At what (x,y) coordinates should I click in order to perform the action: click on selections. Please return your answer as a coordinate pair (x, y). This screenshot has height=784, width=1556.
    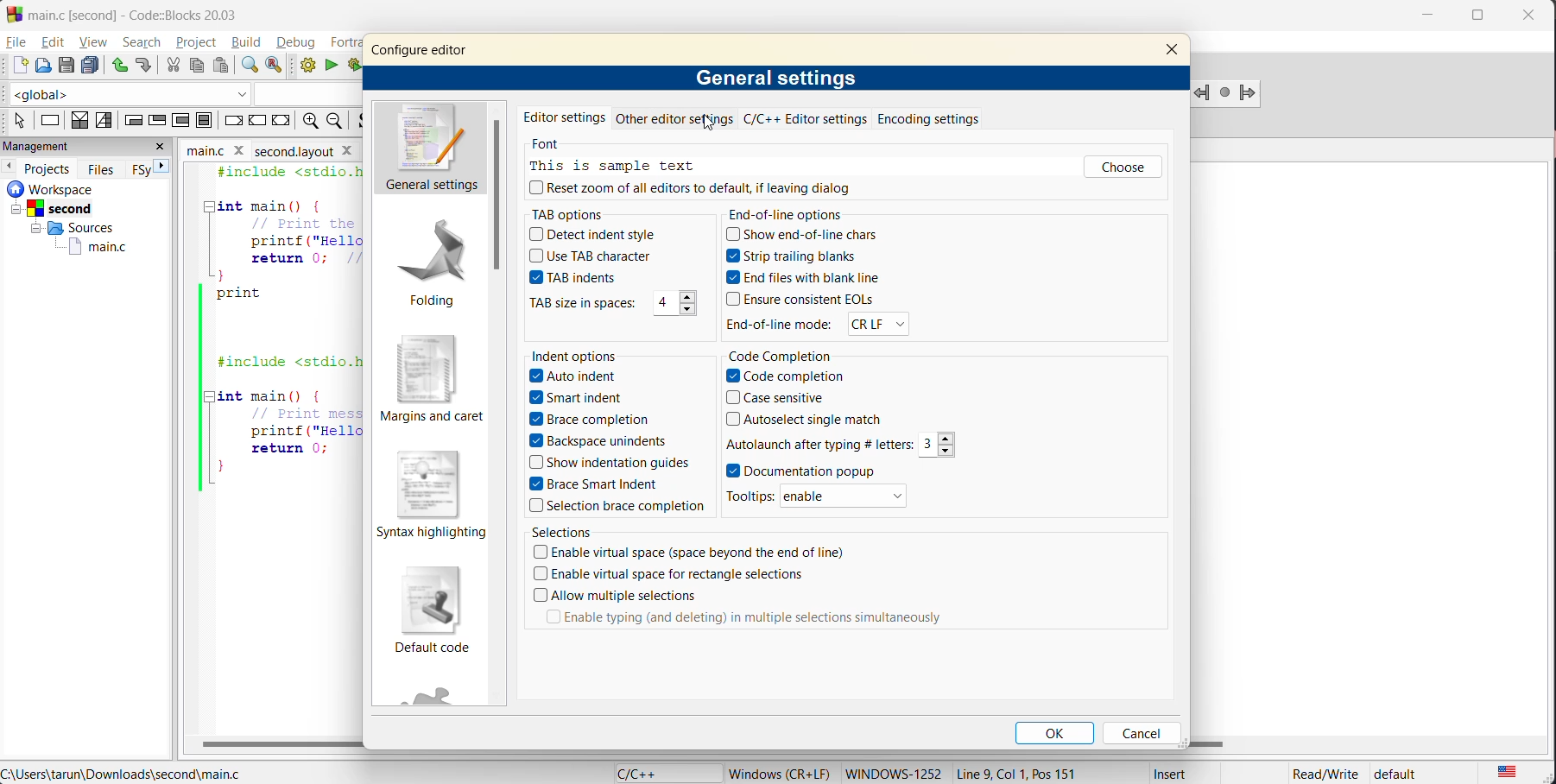
    Looking at the image, I should click on (772, 533).